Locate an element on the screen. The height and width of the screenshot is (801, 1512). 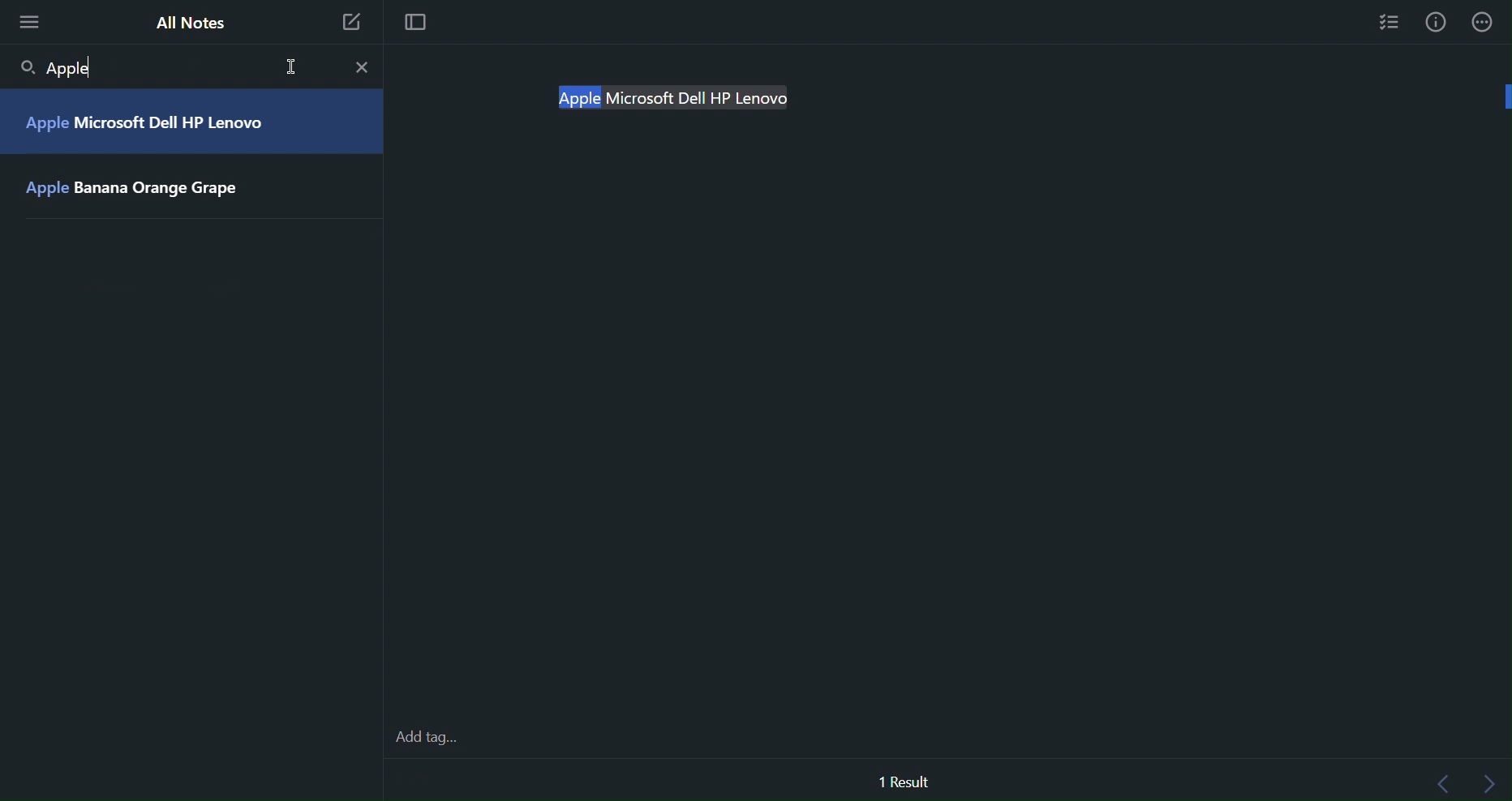
Back is located at coordinates (1445, 782).